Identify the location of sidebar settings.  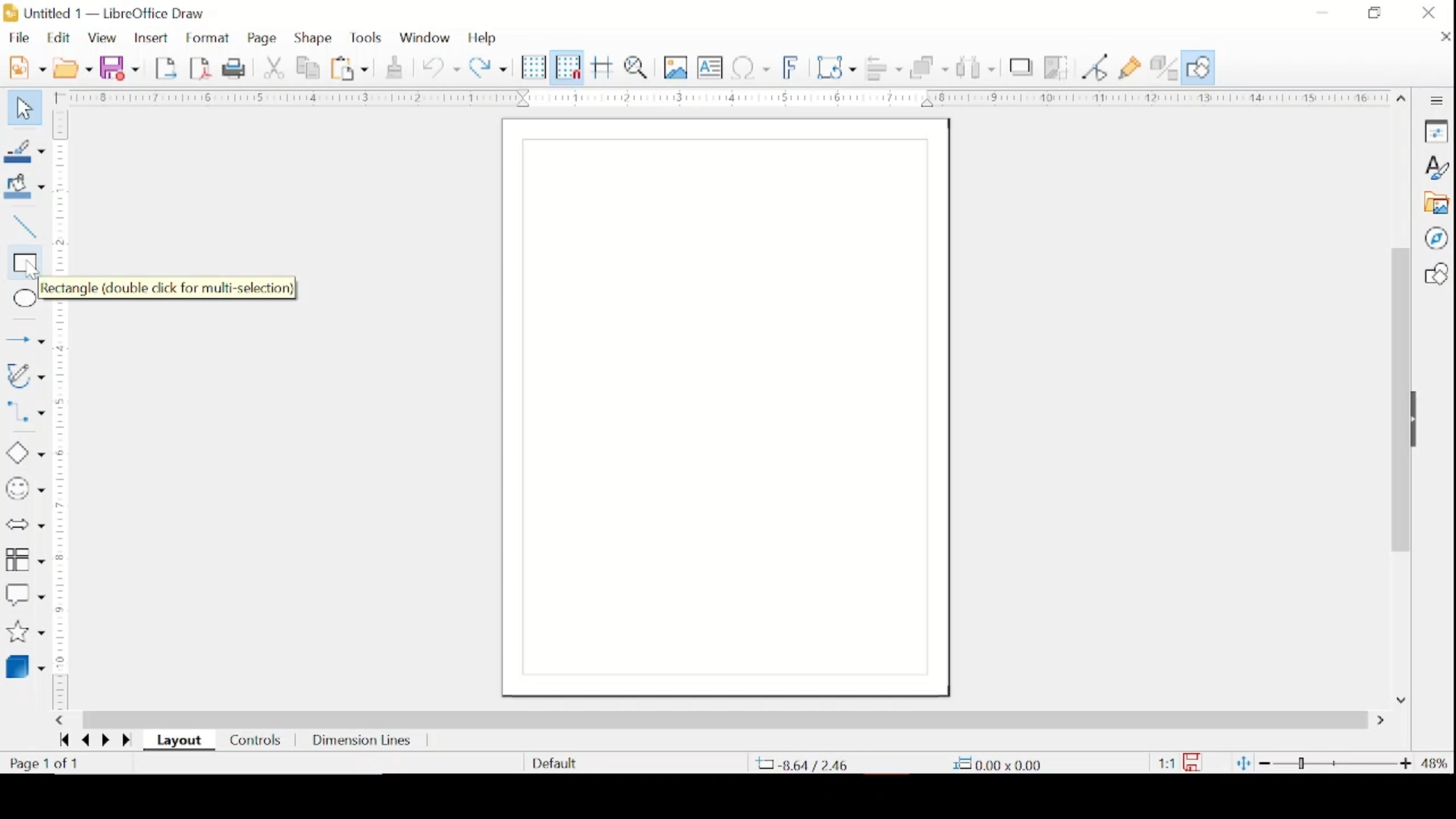
(1437, 101).